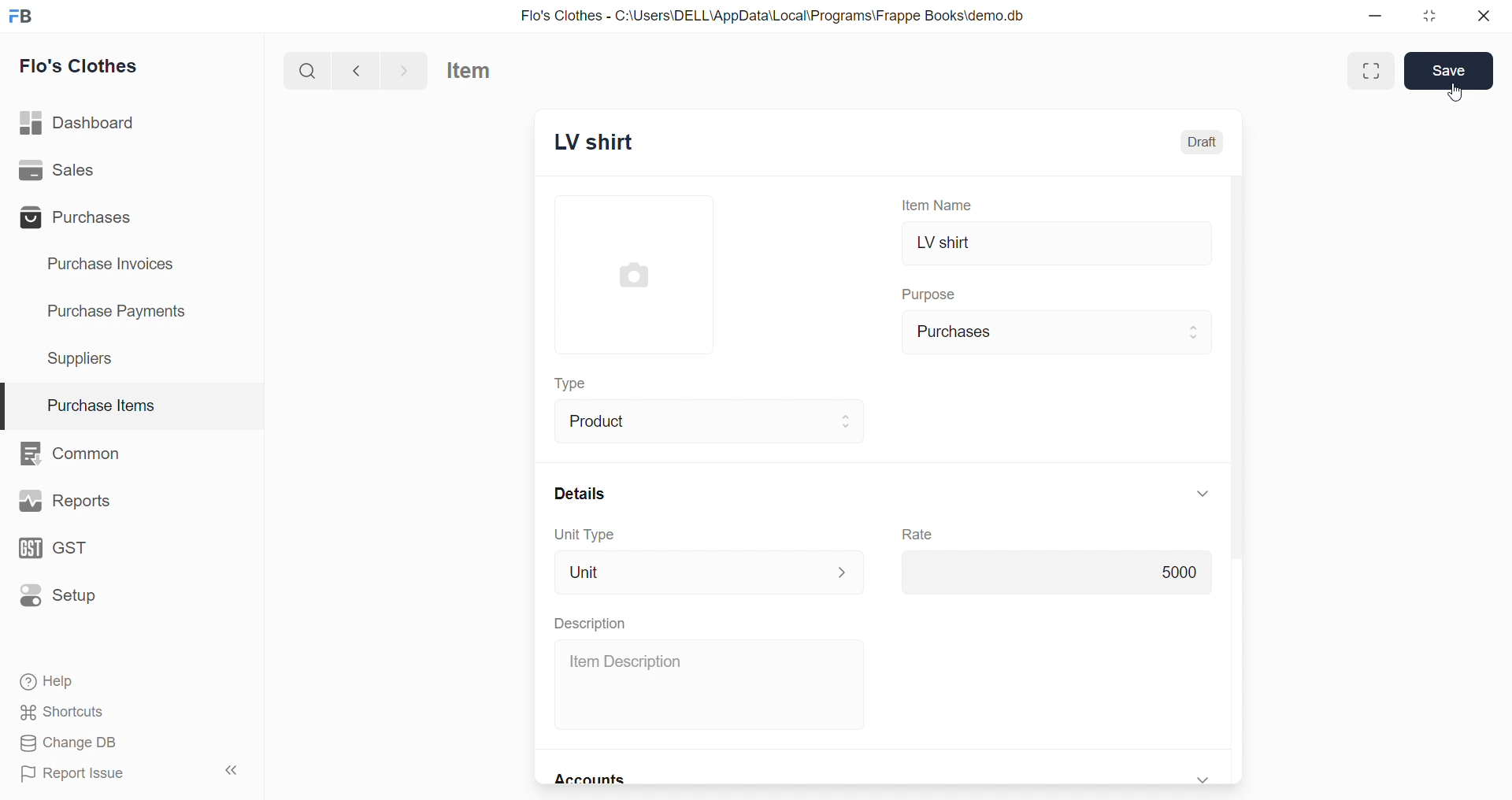 The height and width of the screenshot is (800, 1512). What do you see at coordinates (88, 66) in the screenshot?
I see `Flo's Clothes` at bounding box center [88, 66].